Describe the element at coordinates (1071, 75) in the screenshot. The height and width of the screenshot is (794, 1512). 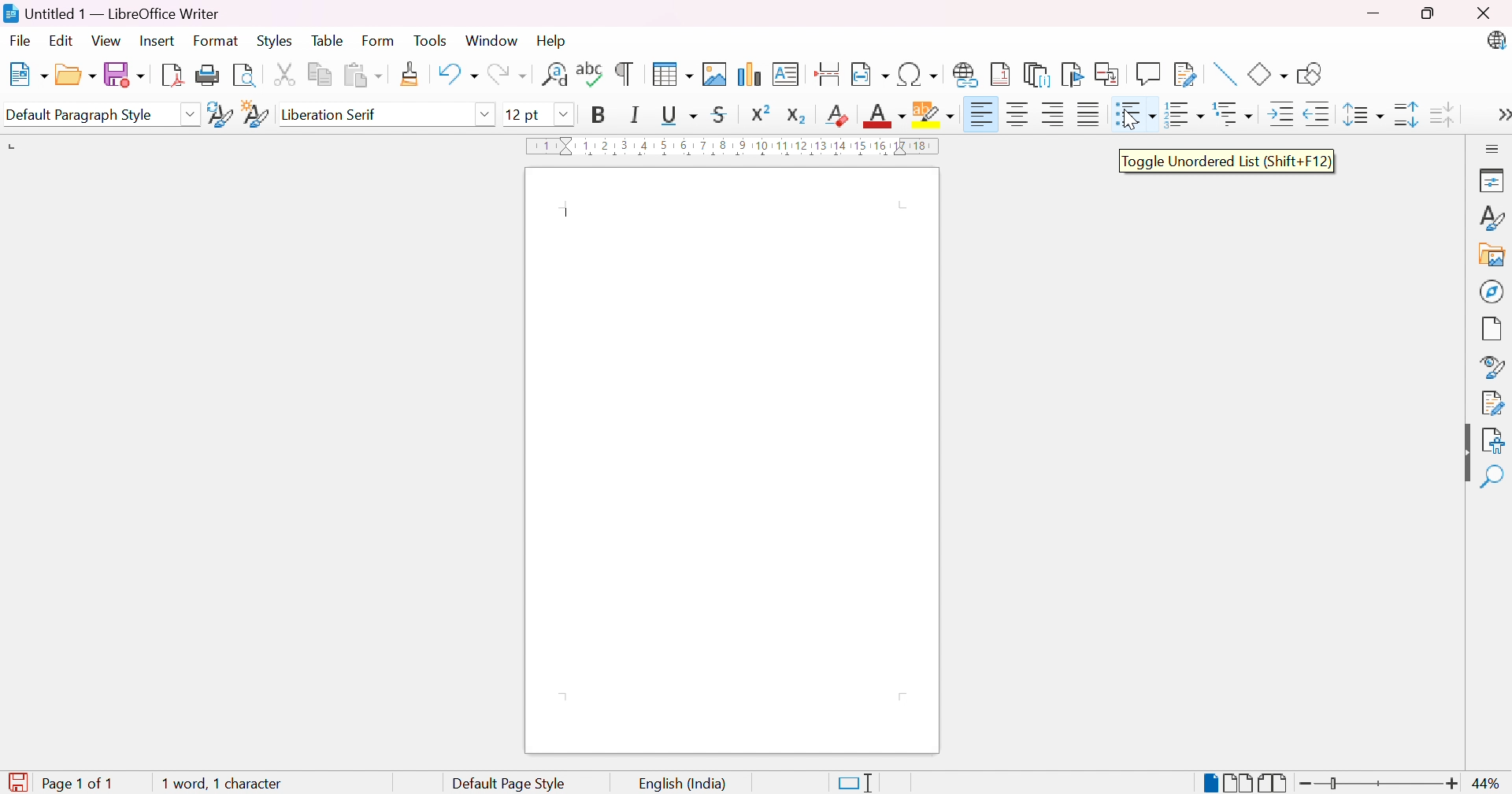
I see `Insert bookmark` at that location.